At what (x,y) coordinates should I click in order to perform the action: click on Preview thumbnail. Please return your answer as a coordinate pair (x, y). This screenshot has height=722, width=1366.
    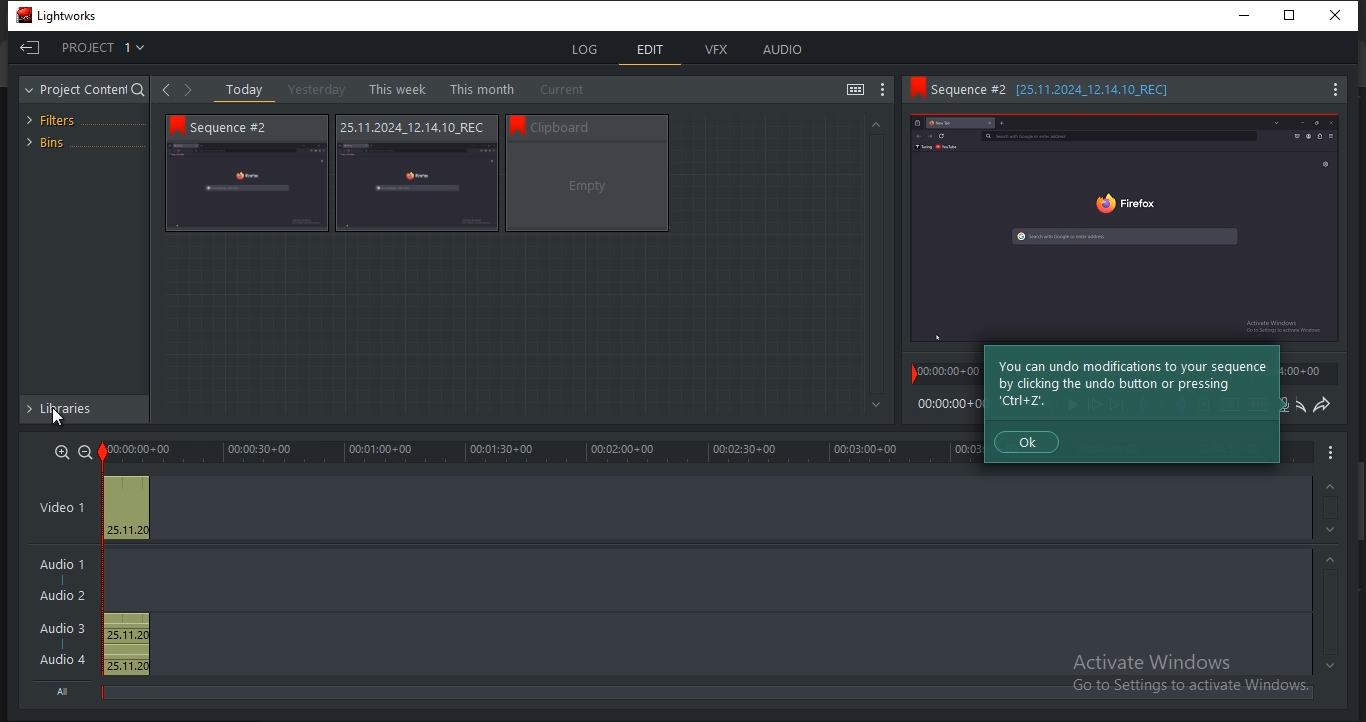
    Looking at the image, I should click on (130, 497).